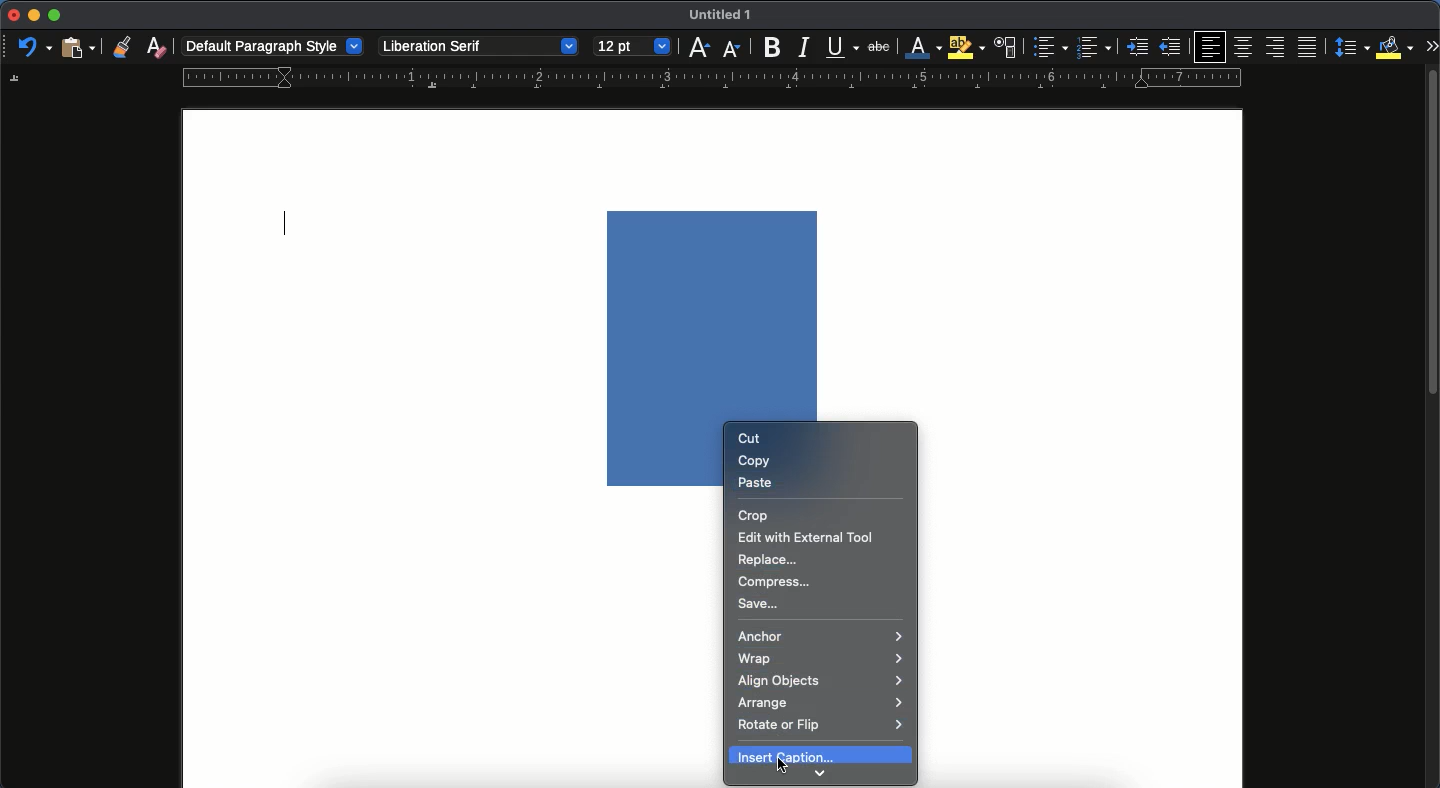 This screenshot has height=788, width=1440. What do you see at coordinates (733, 50) in the screenshot?
I see `decrease font` at bounding box center [733, 50].